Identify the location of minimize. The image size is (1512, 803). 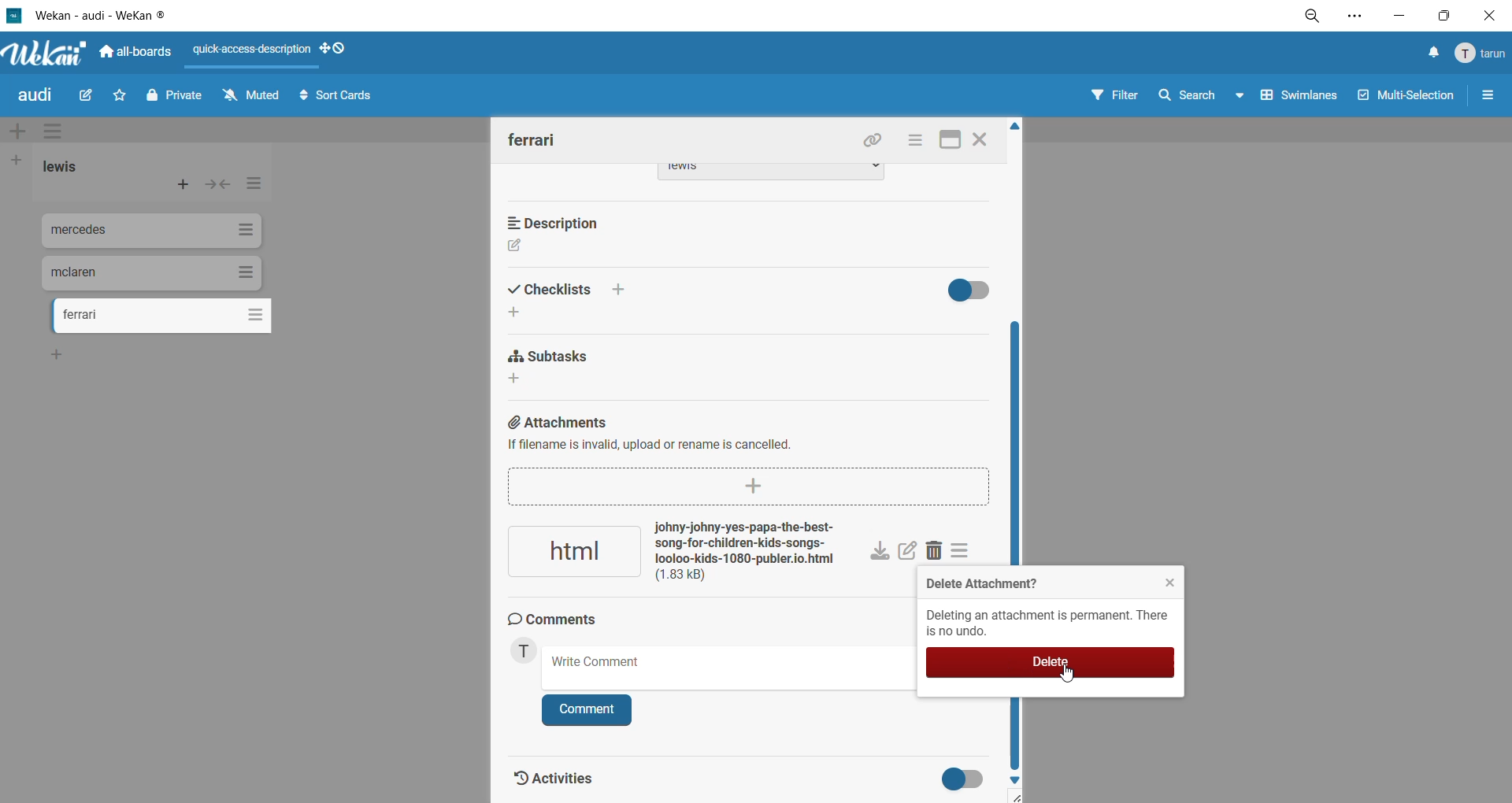
(1398, 17).